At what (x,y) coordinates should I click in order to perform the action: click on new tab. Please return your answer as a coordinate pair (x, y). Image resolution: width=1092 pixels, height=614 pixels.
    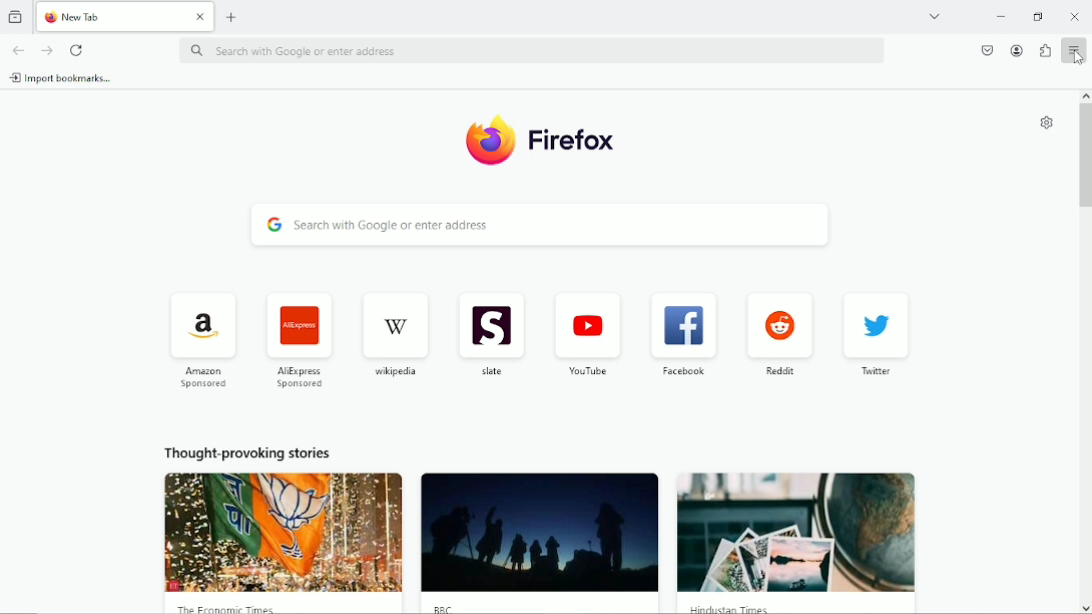
    Looking at the image, I should click on (233, 18).